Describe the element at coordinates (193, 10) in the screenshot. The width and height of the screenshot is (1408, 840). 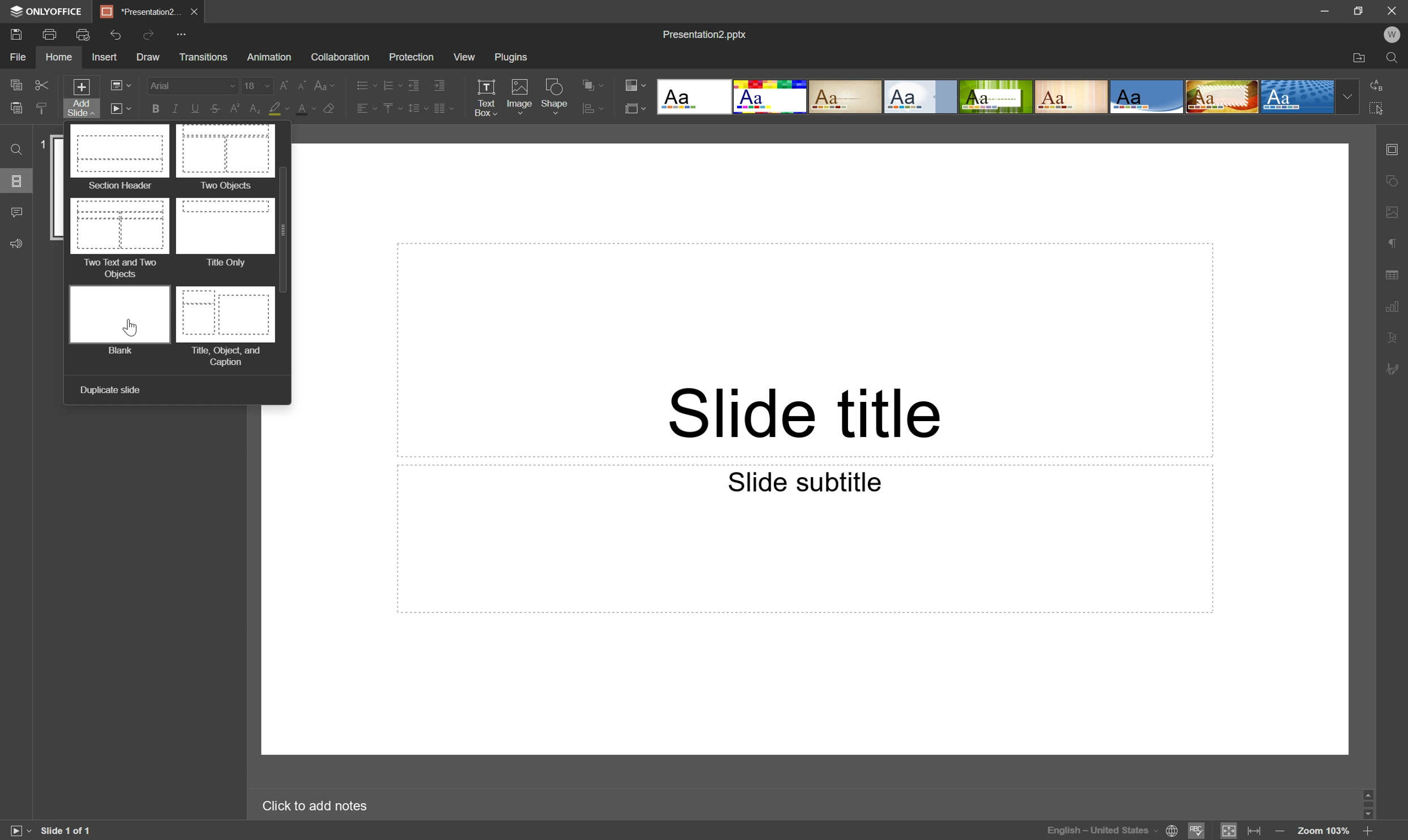
I see `Close` at that location.